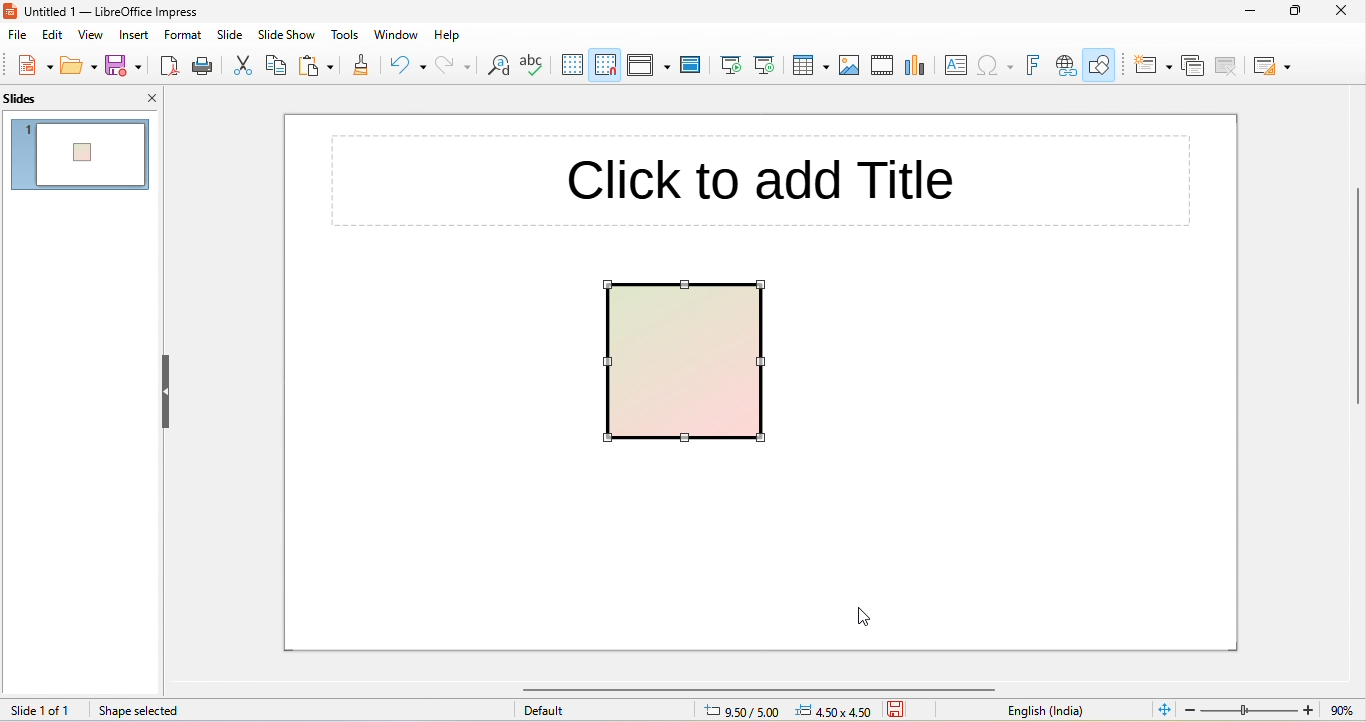  I want to click on help, so click(449, 35).